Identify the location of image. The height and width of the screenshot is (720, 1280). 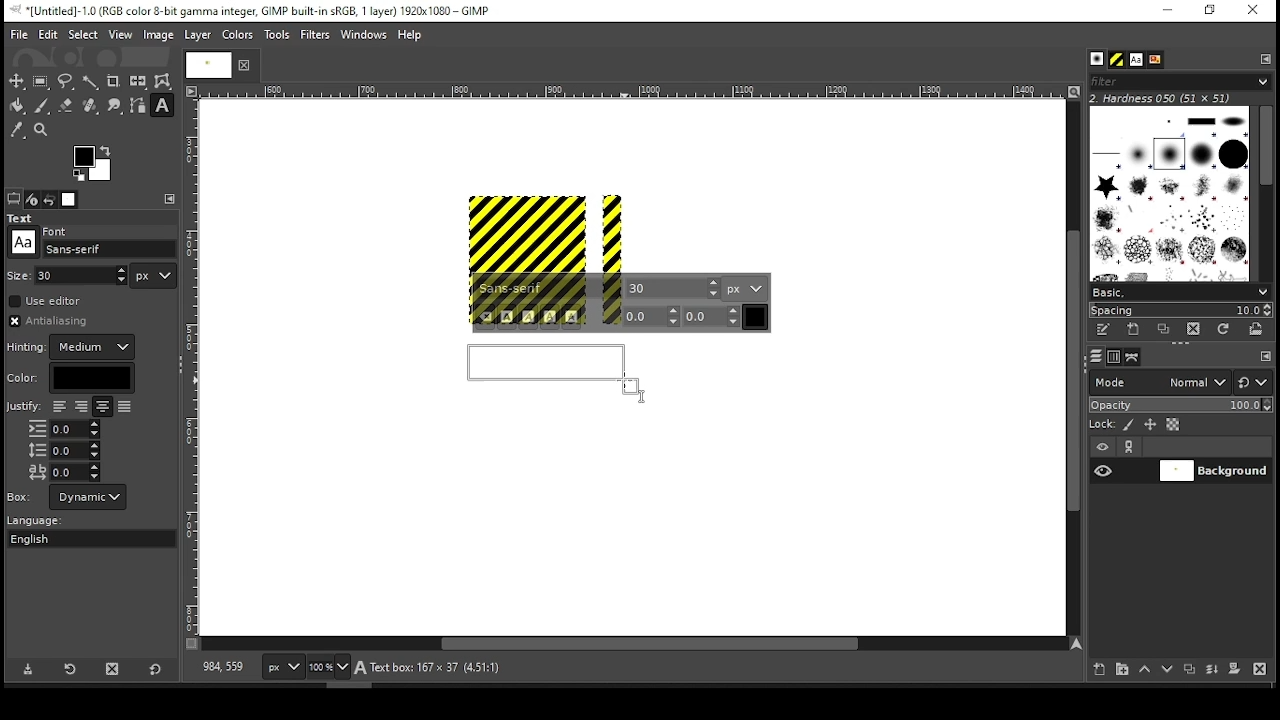
(157, 35).